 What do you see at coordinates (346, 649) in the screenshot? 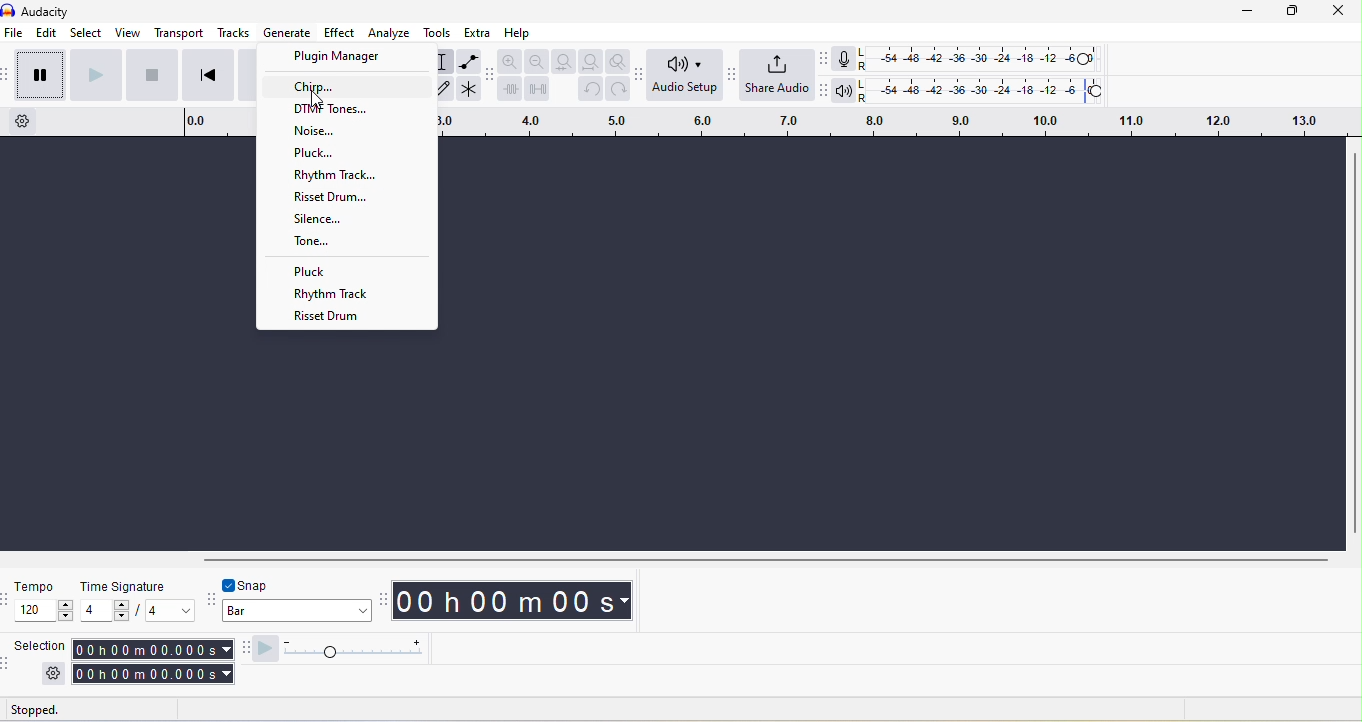
I see `play at speed` at bounding box center [346, 649].